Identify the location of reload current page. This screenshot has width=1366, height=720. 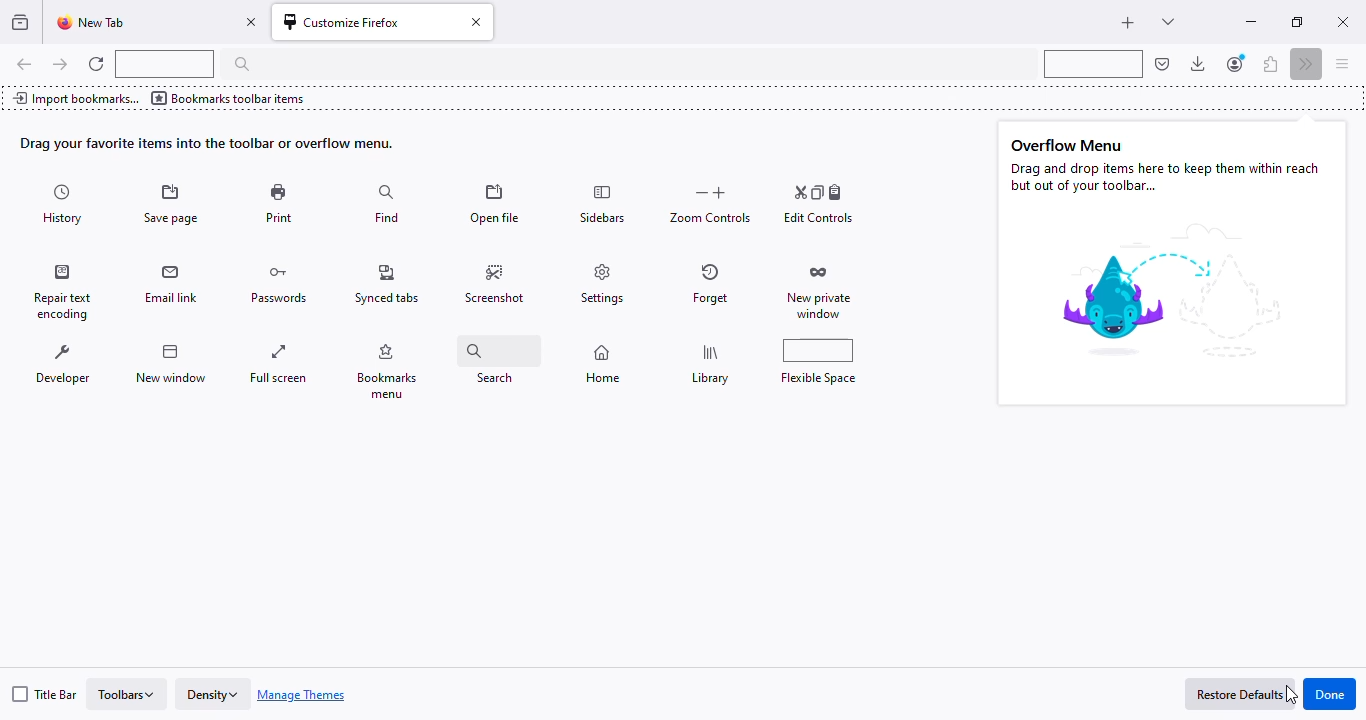
(96, 64).